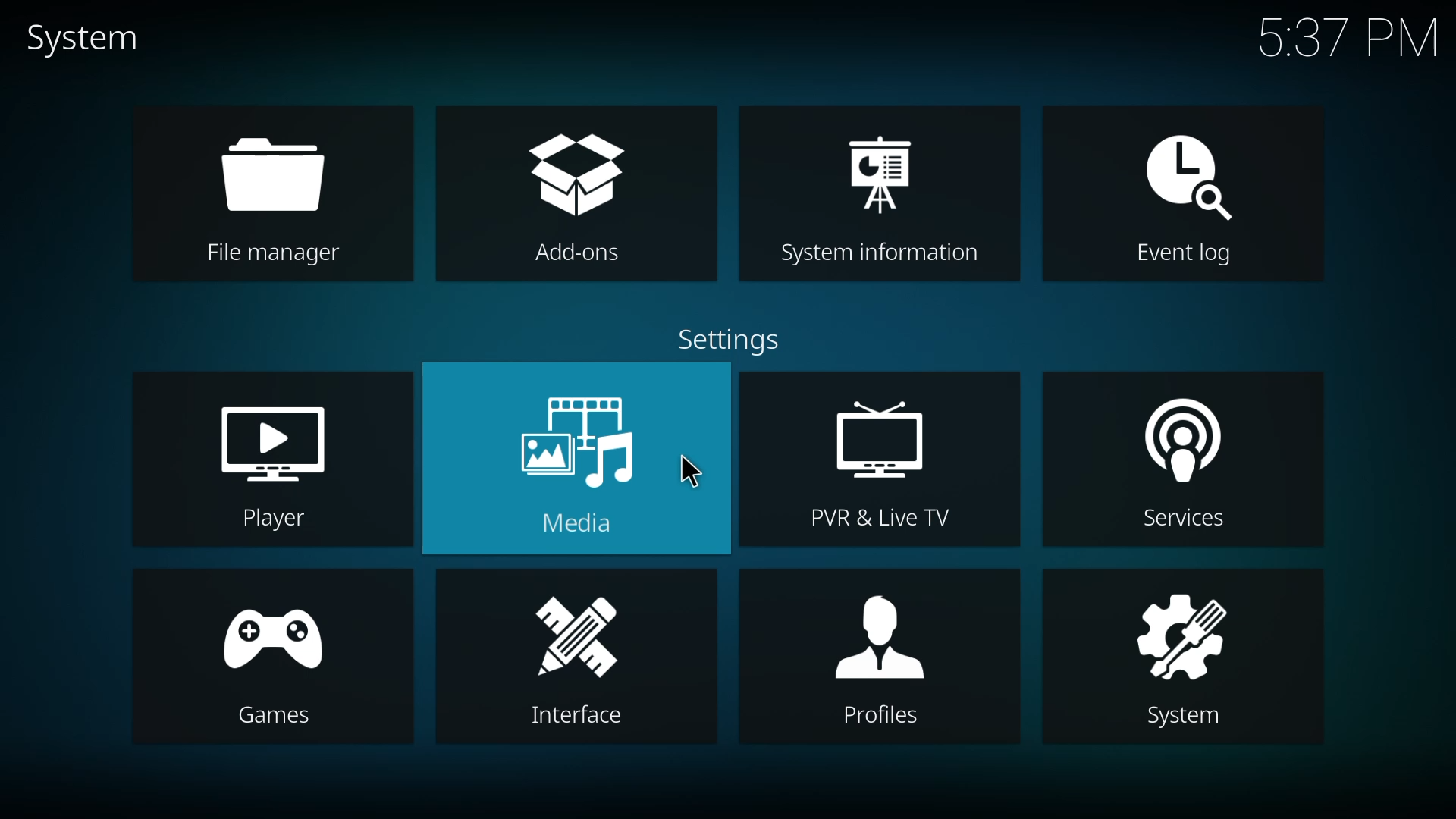 Image resolution: width=1456 pixels, height=819 pixels. Describe the element at coordinates (1188, 170) in the screenshot. I see `event log` at that location.